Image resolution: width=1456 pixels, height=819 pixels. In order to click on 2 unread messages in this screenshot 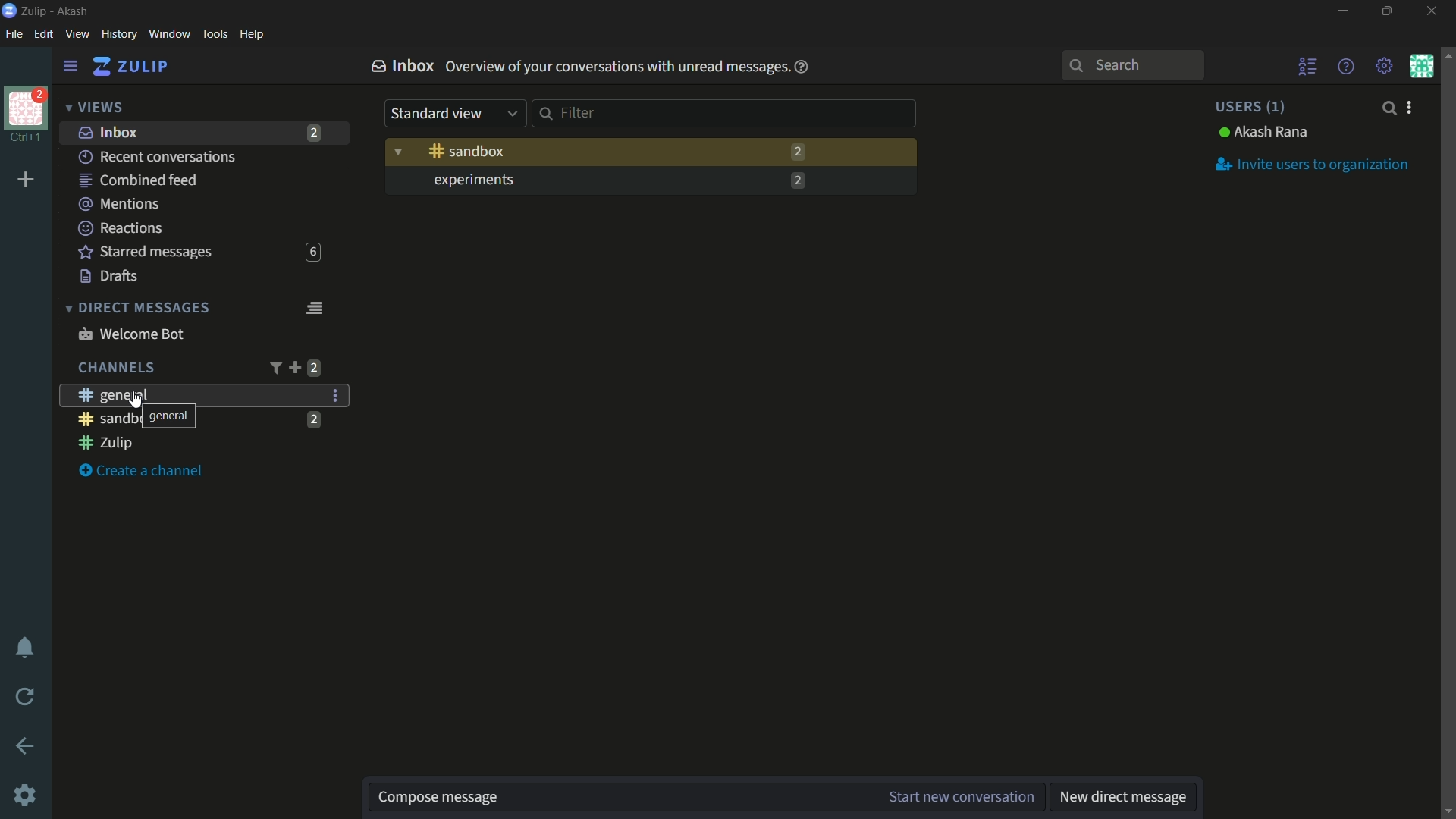, I will do `click(315, 419)`.